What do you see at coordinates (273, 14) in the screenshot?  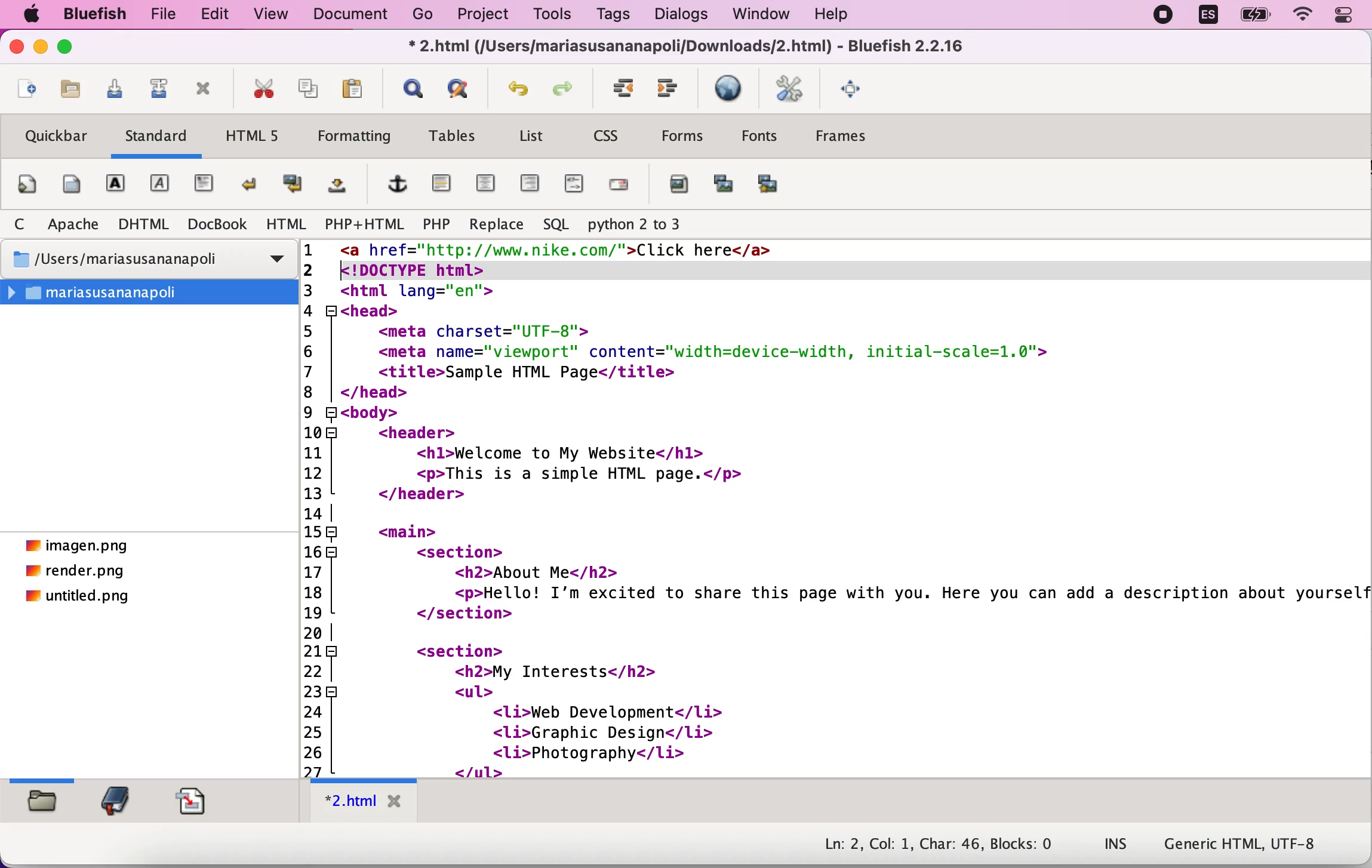 I see `view` at bounding box center [273, 14].